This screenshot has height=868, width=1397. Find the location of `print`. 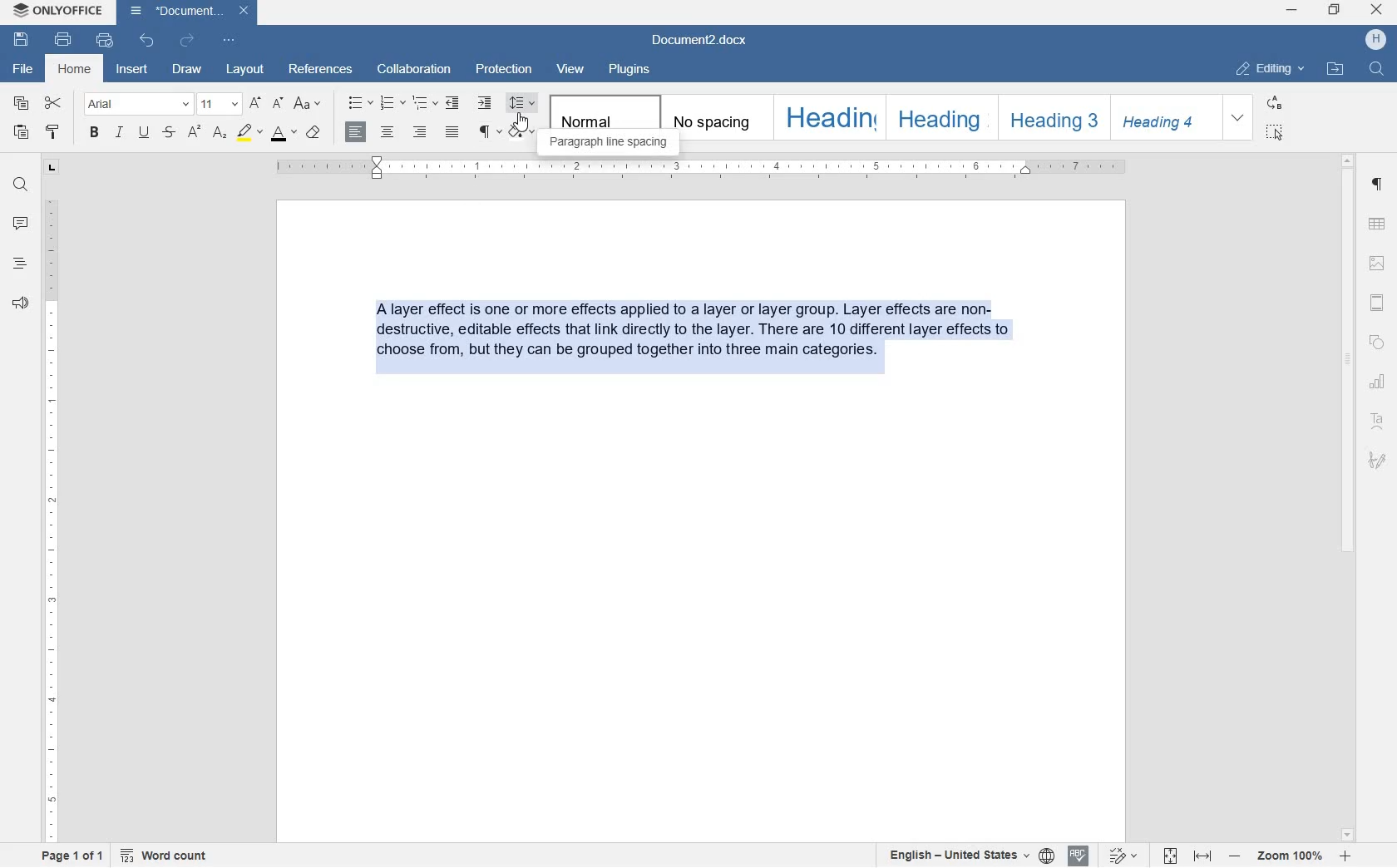

print is located at coordinates (63, 39).